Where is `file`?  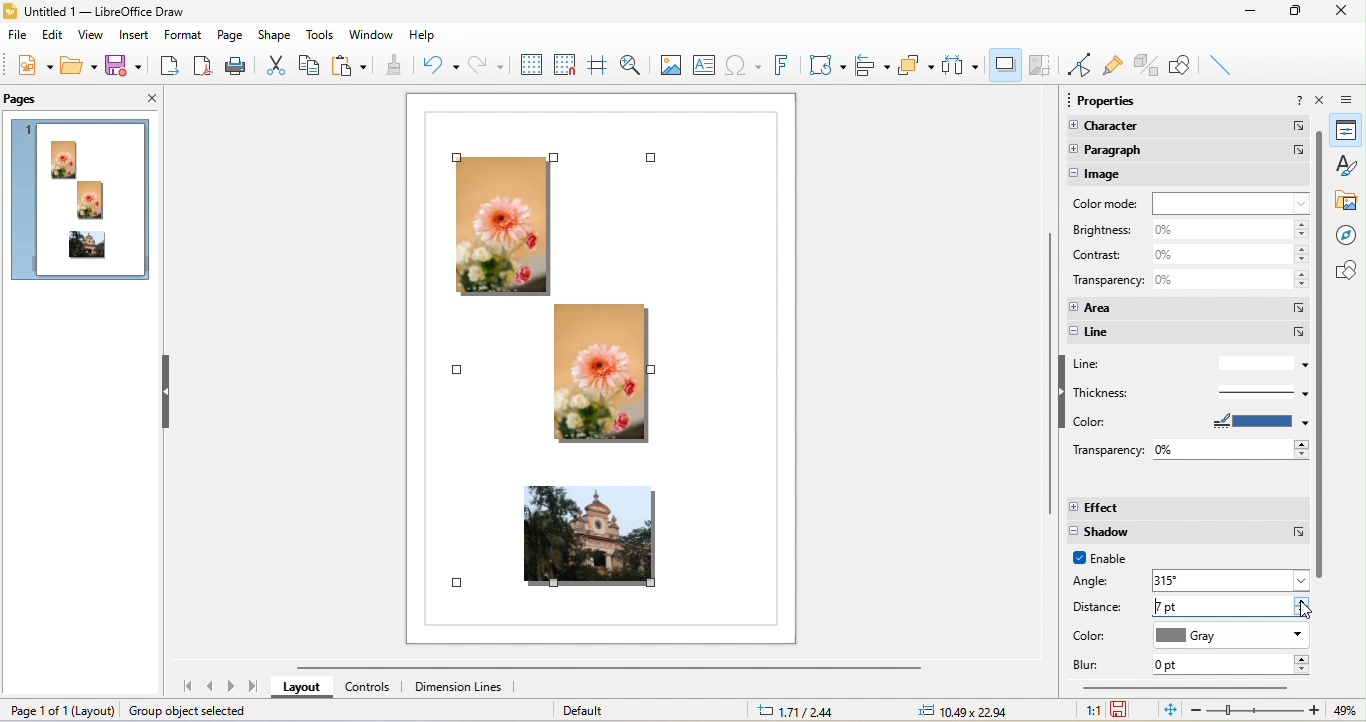
file is located at coordinates (16, 37).